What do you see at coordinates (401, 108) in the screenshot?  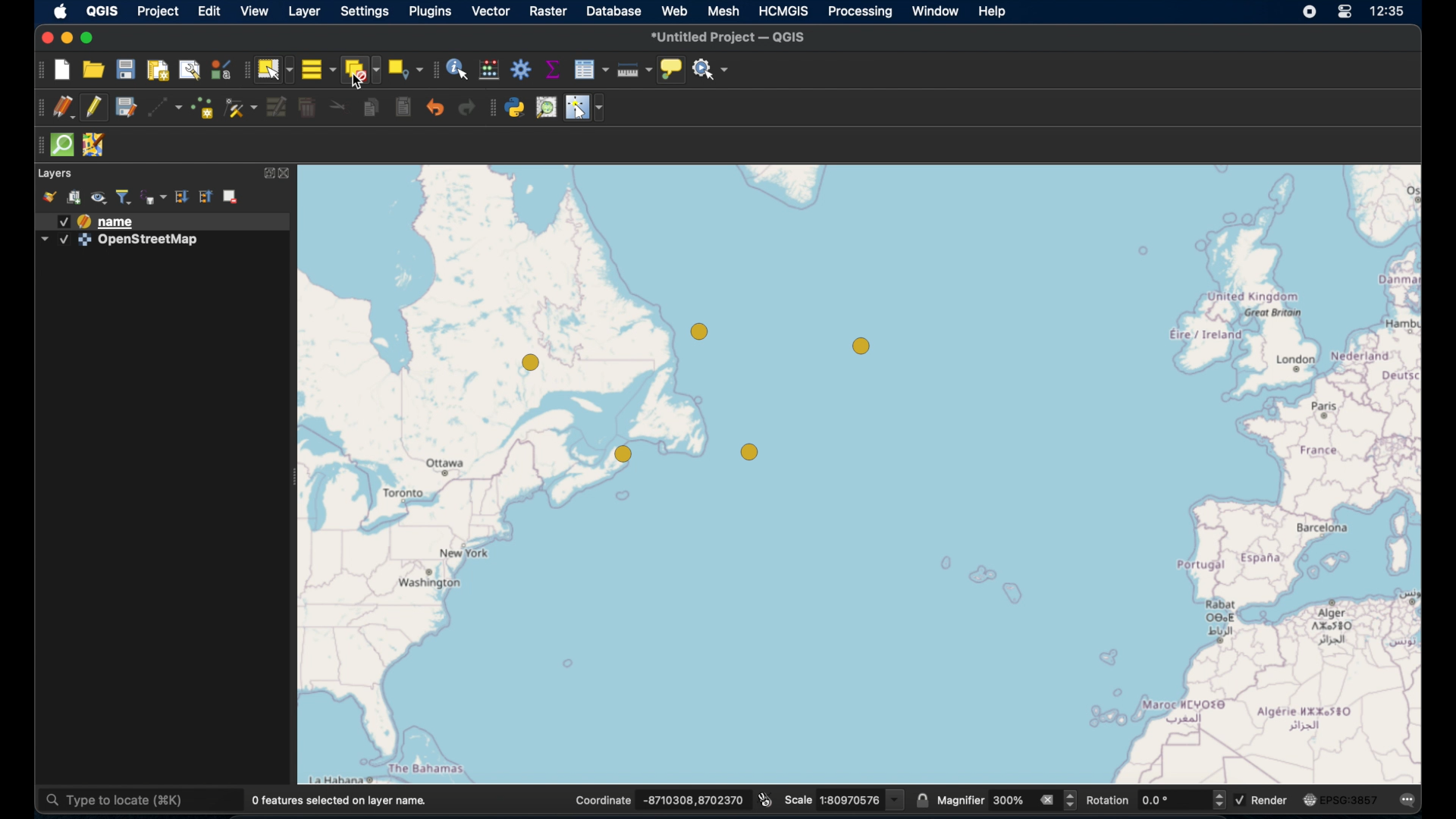 I see `paste features` at bounding box center [401, 108].